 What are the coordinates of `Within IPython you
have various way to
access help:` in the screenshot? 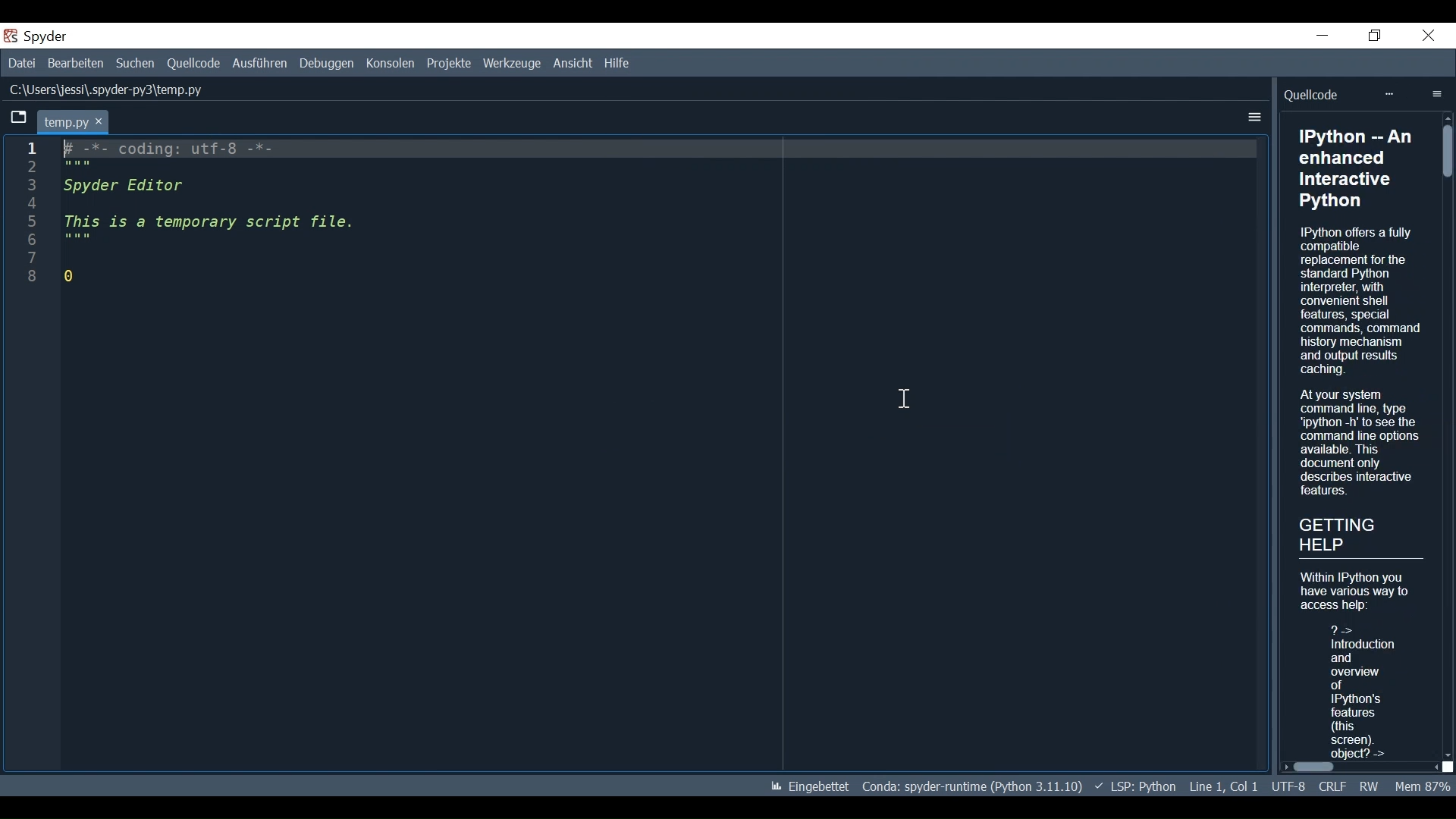 It's located at (1358, 590).